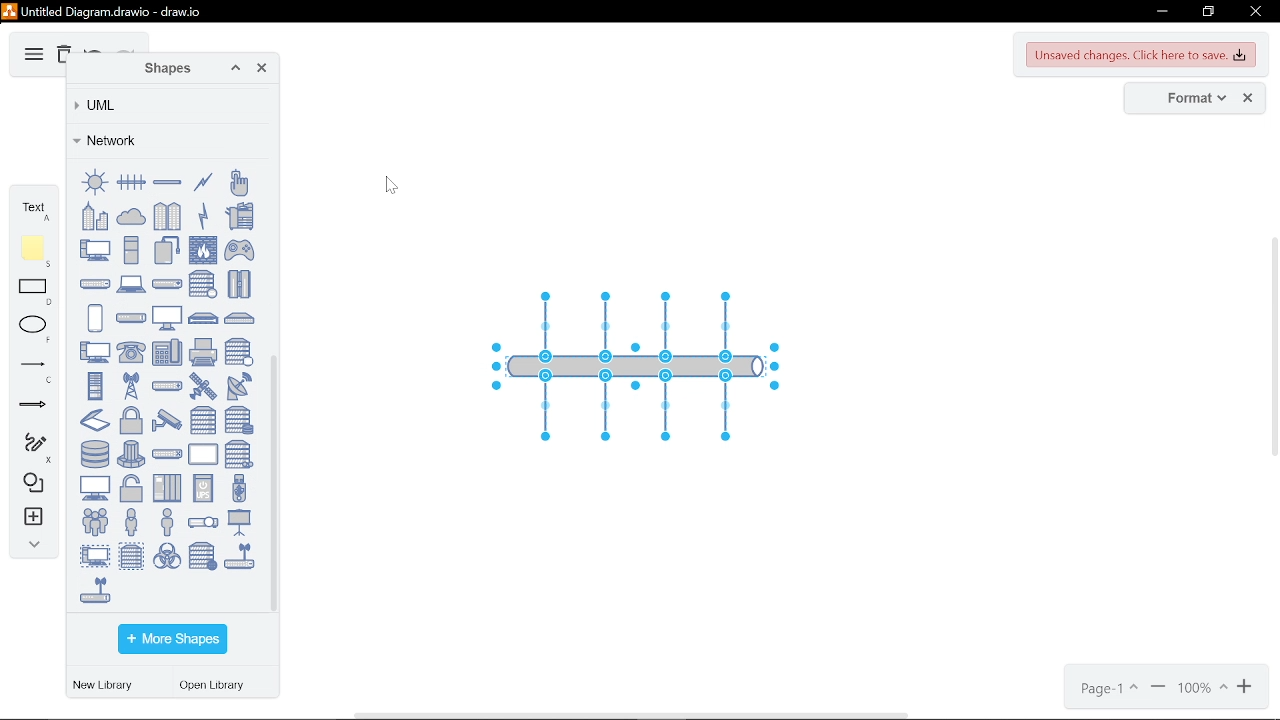  What do you see at coordinates (203, 386) in the screenshot?
I see `satellite` at bounding box center [203, 386].